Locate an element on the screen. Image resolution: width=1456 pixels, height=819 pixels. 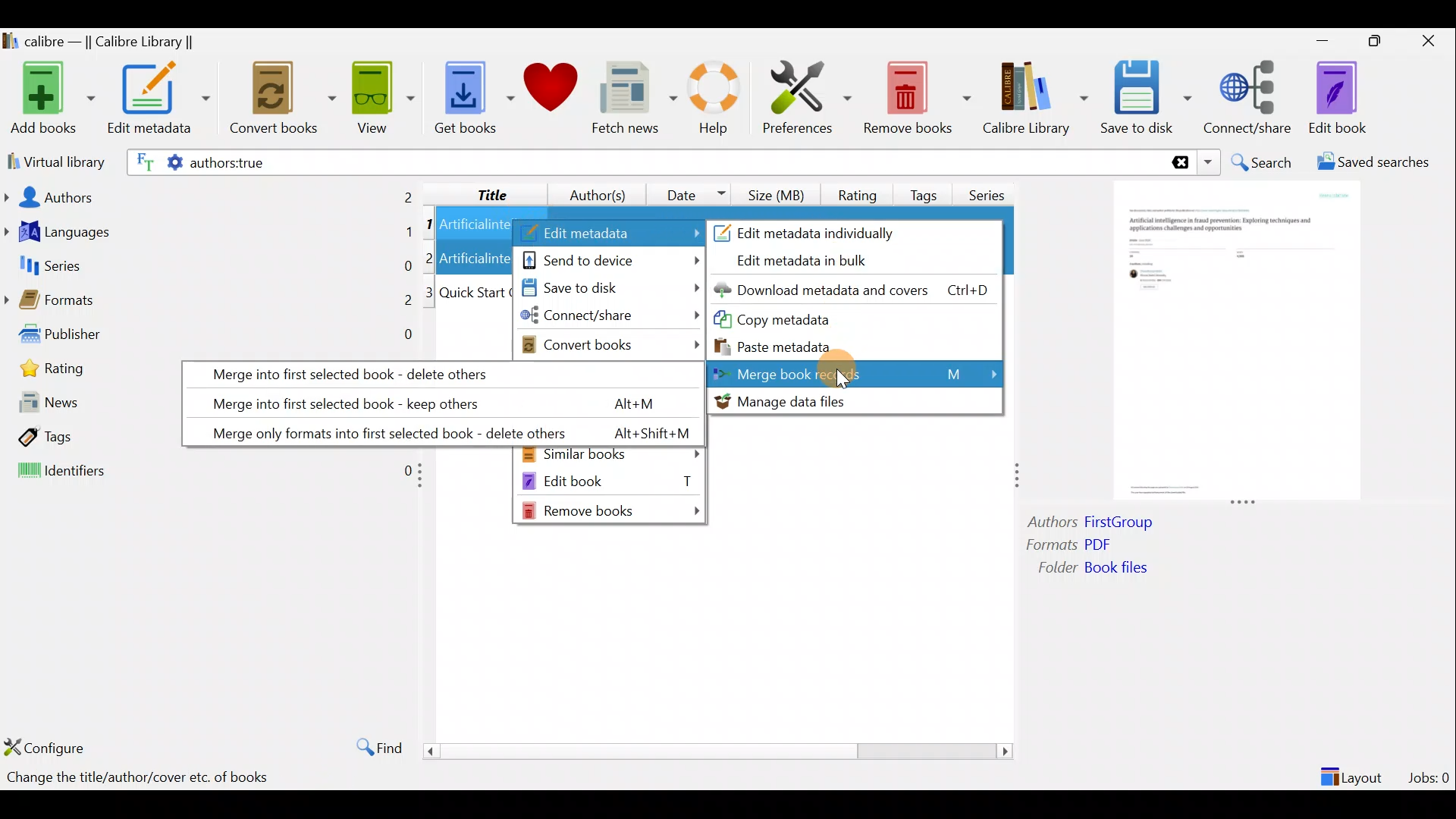
Identifiers is located at coordinates (206, 472).